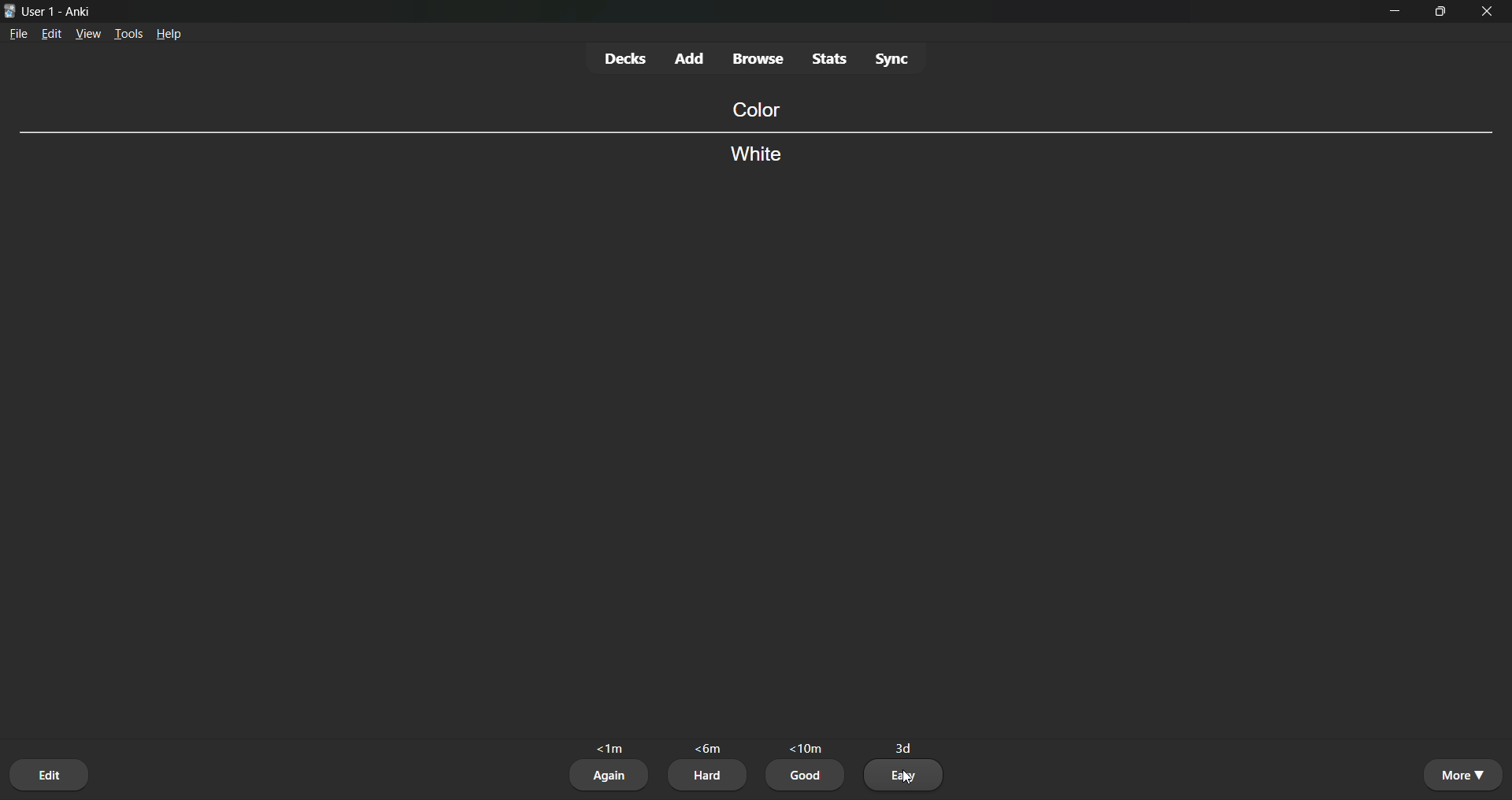  Describe the element at coordinates (759, 60) in the screenshot. I see `browse` at that location.